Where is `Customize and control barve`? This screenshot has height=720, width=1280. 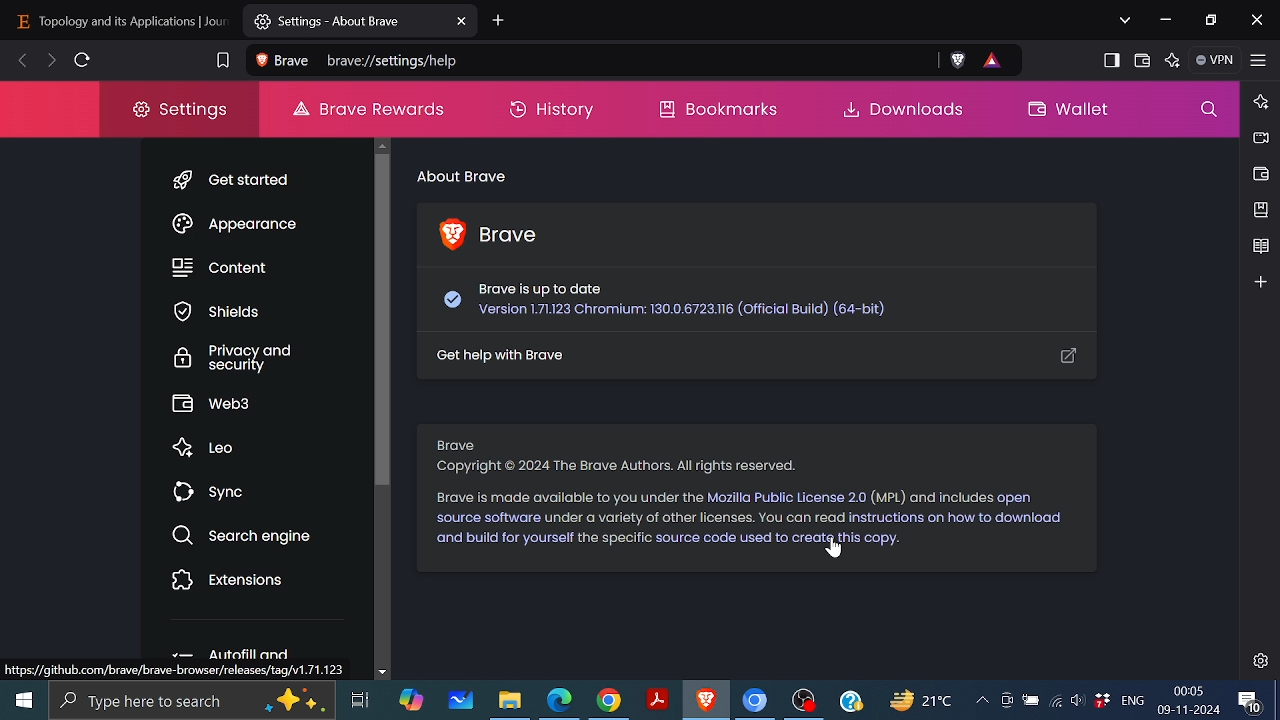 Customize and control barve is located at coordinates (1258, 62).